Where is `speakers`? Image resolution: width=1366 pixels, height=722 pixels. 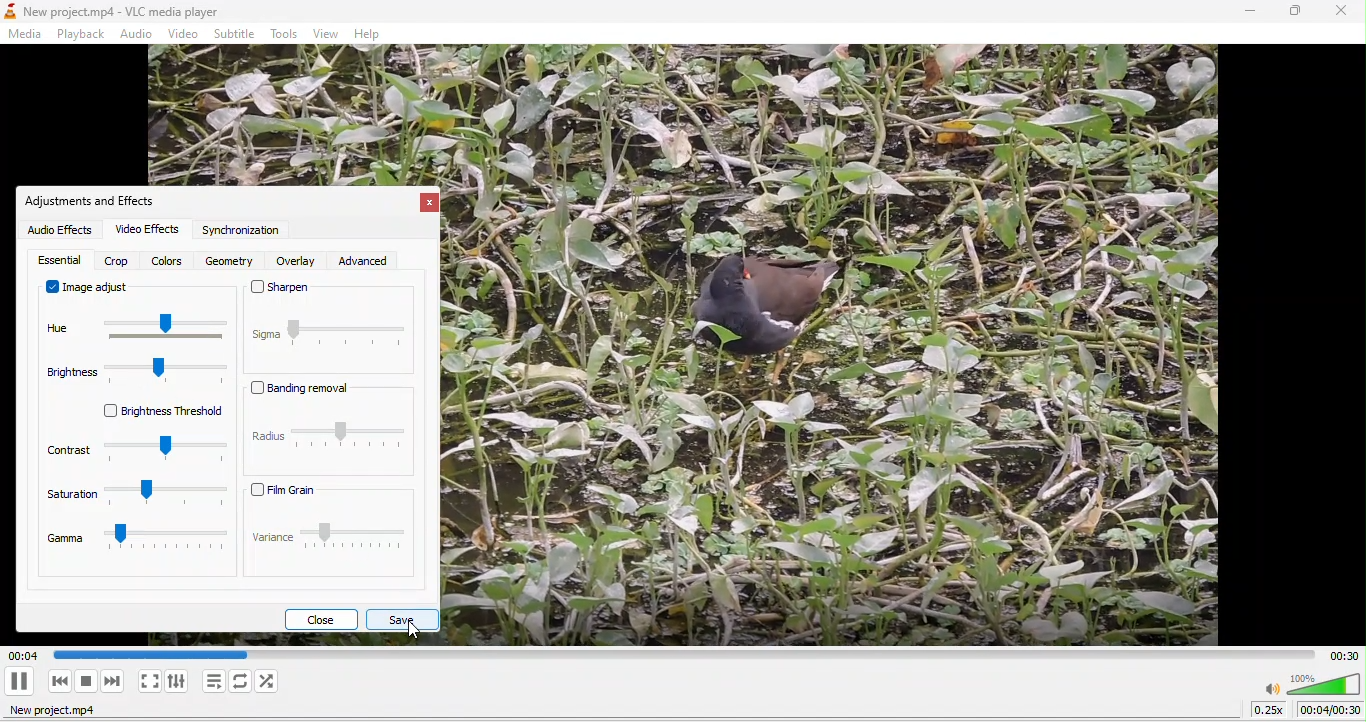
speakers is located at coordinates (1311, 684).